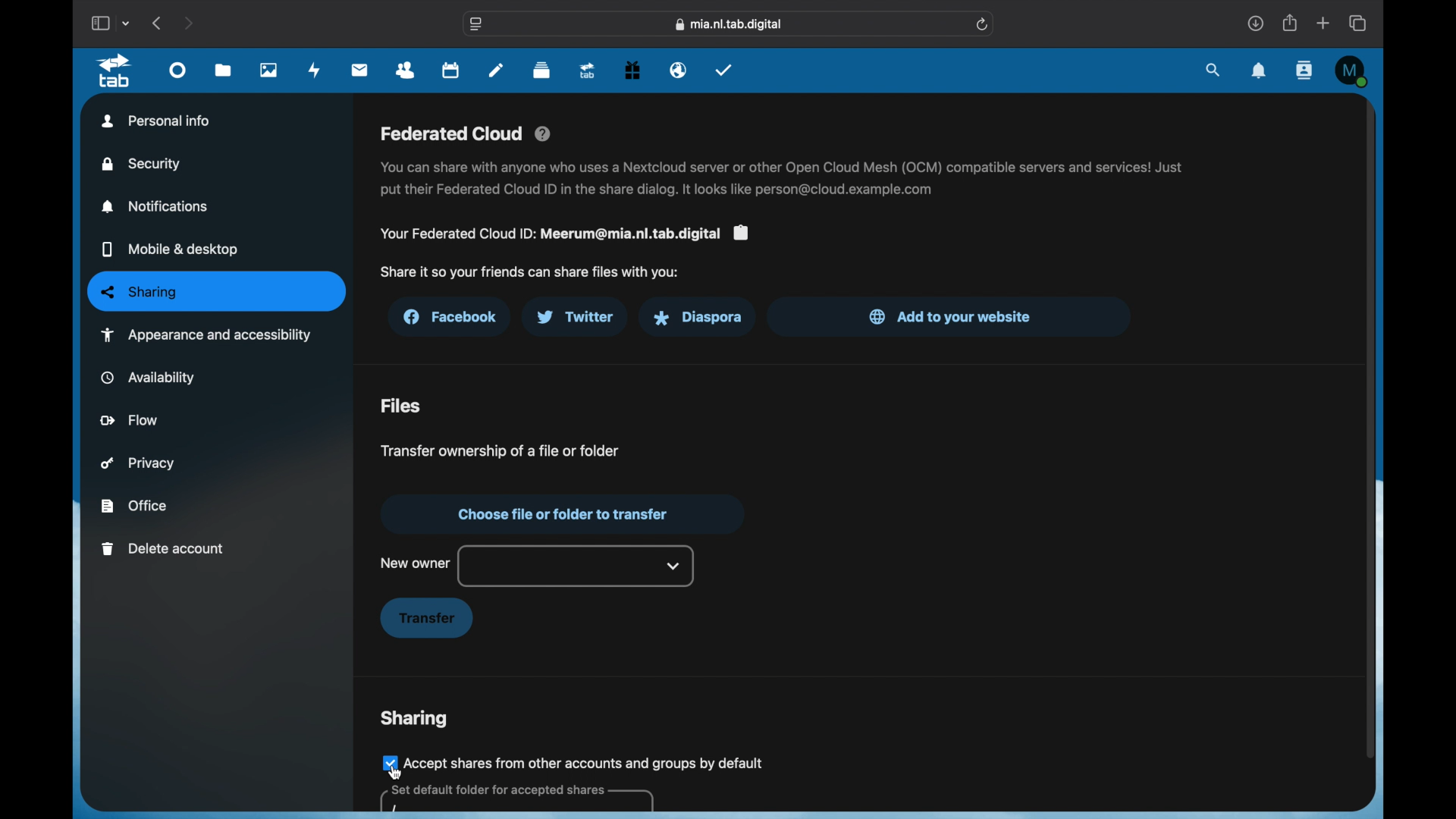 The width and height of the screenshot is (1456, 819). Describe the element at coordinates (697, 318) in the screenshot. I see `diaspora` at that location.